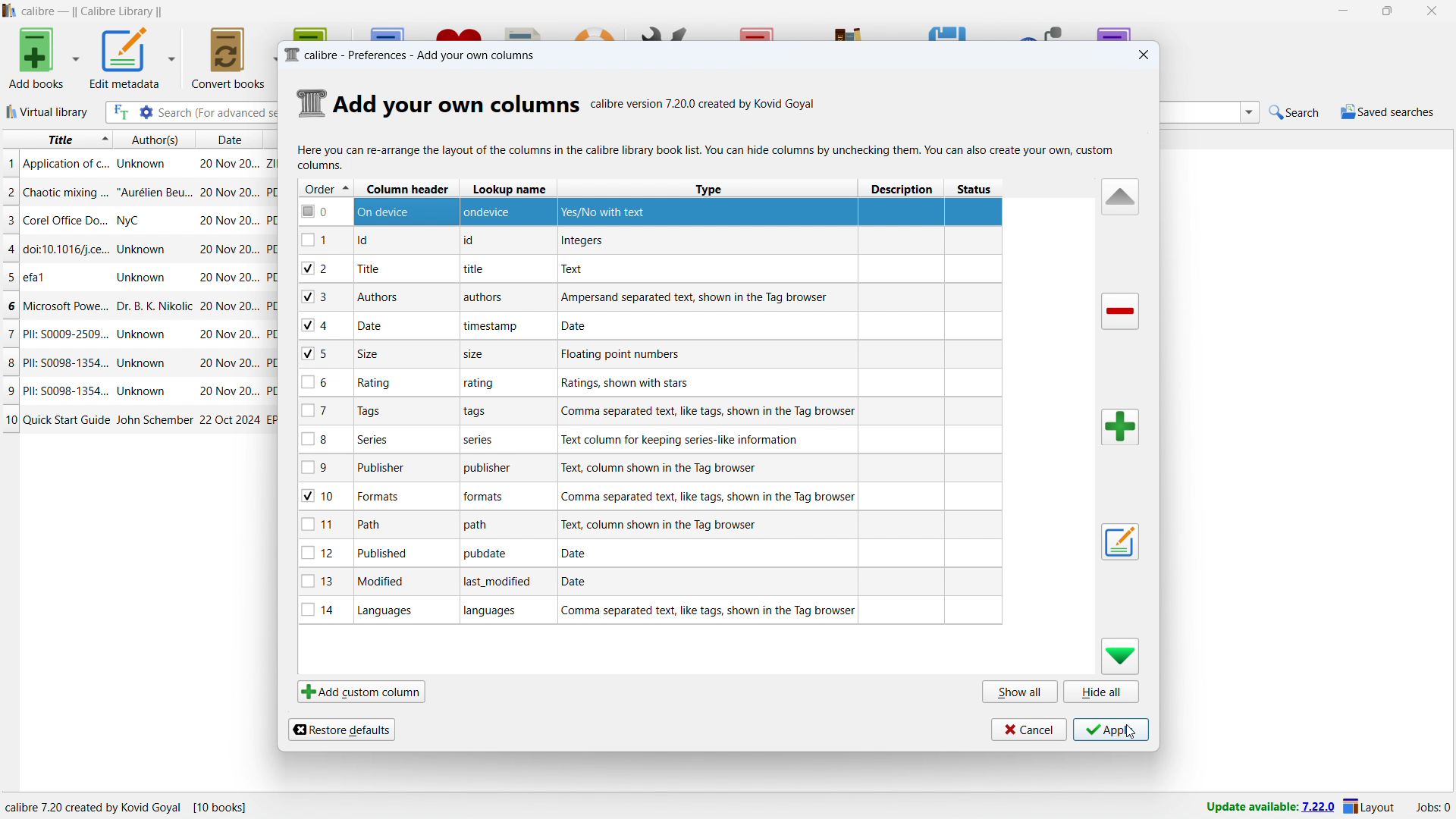 The width and height of the screenshot is (1456, 819). What do you see at coordinates (143, 278) in the screenshot?
I see `author` at bounding box center [143, 278].